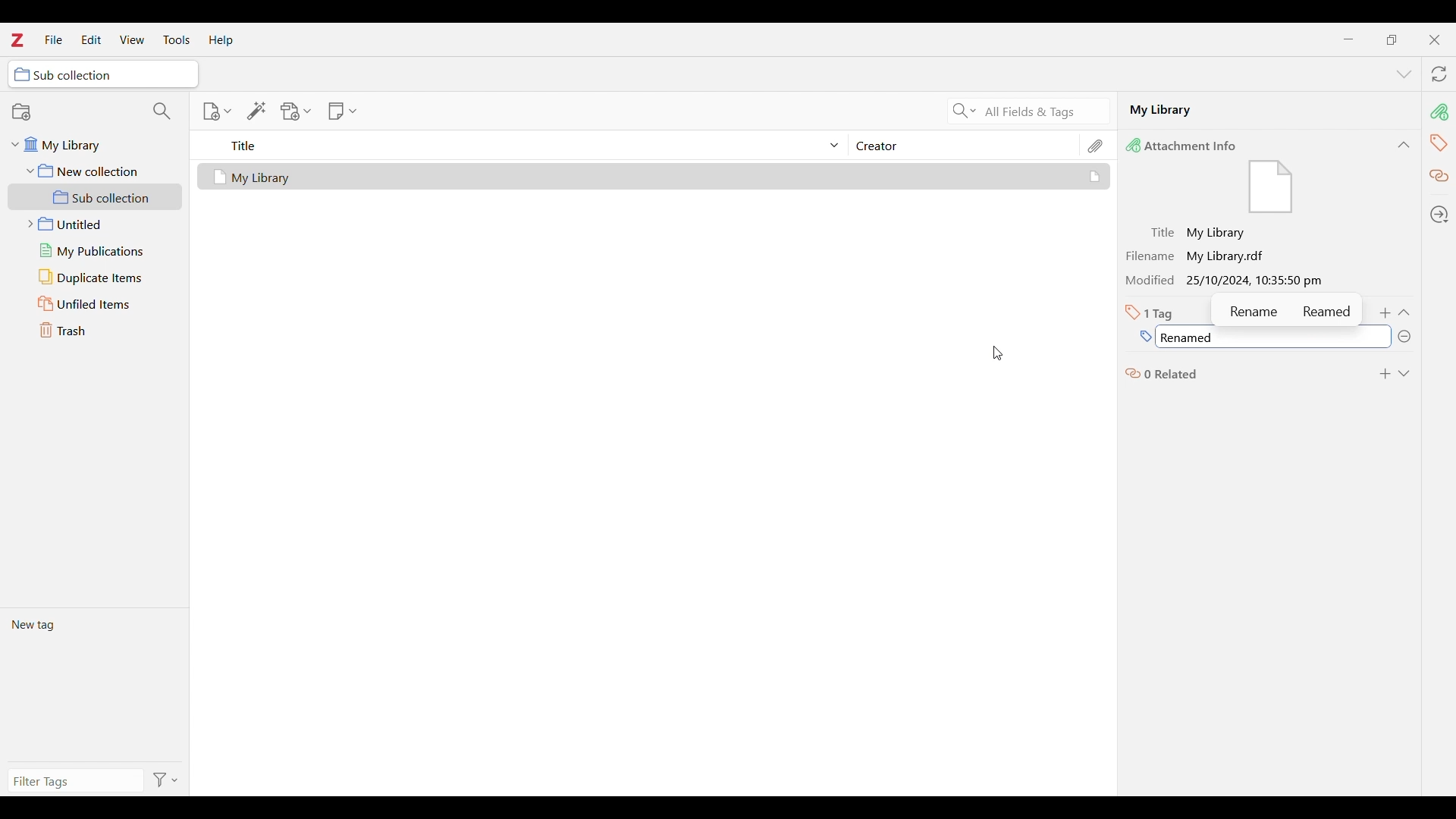 The width and height of the screenshot is (1456, 819). I want to click on Filter collections, so click(162, 111).